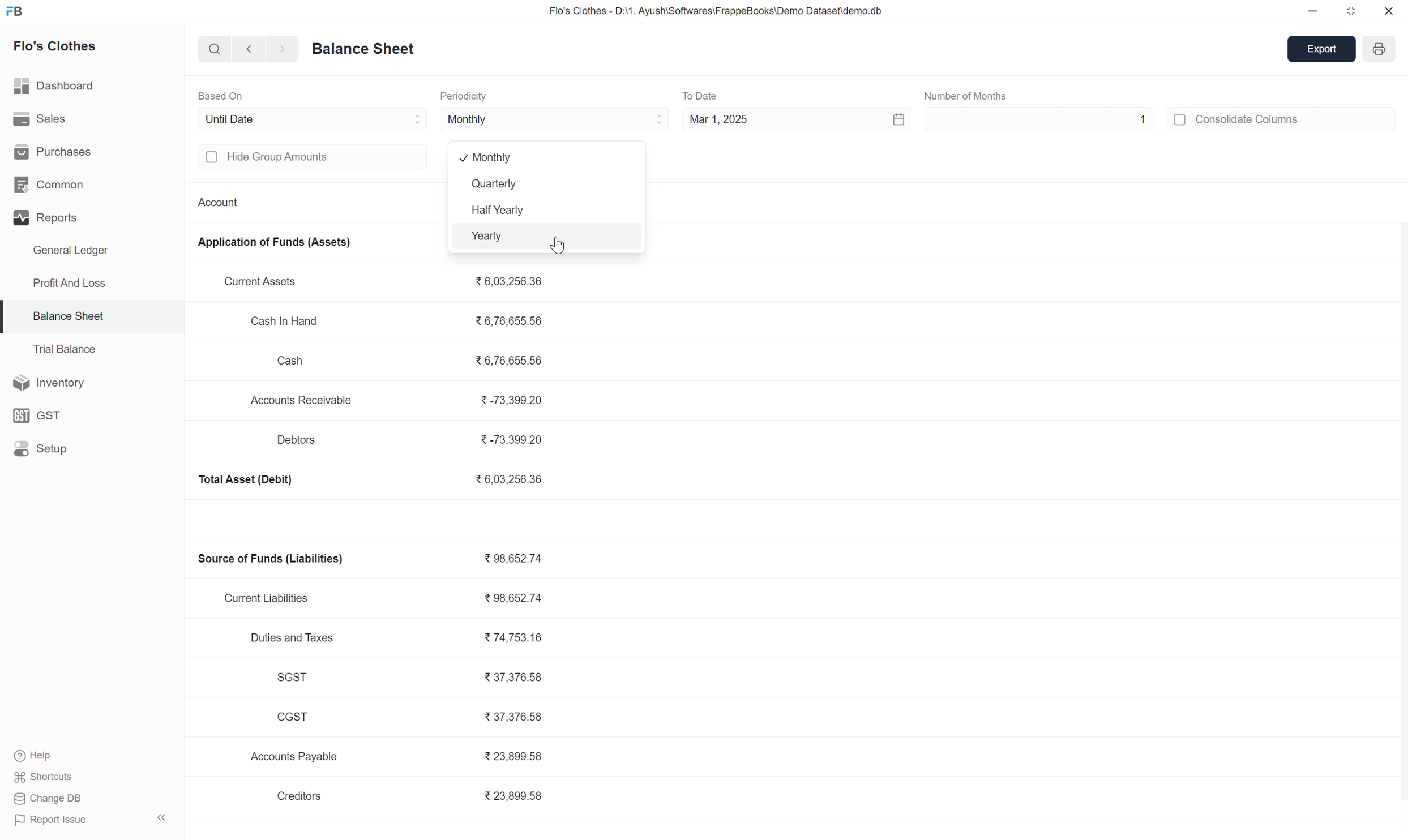  I want to click on year, so click(1382, 50).